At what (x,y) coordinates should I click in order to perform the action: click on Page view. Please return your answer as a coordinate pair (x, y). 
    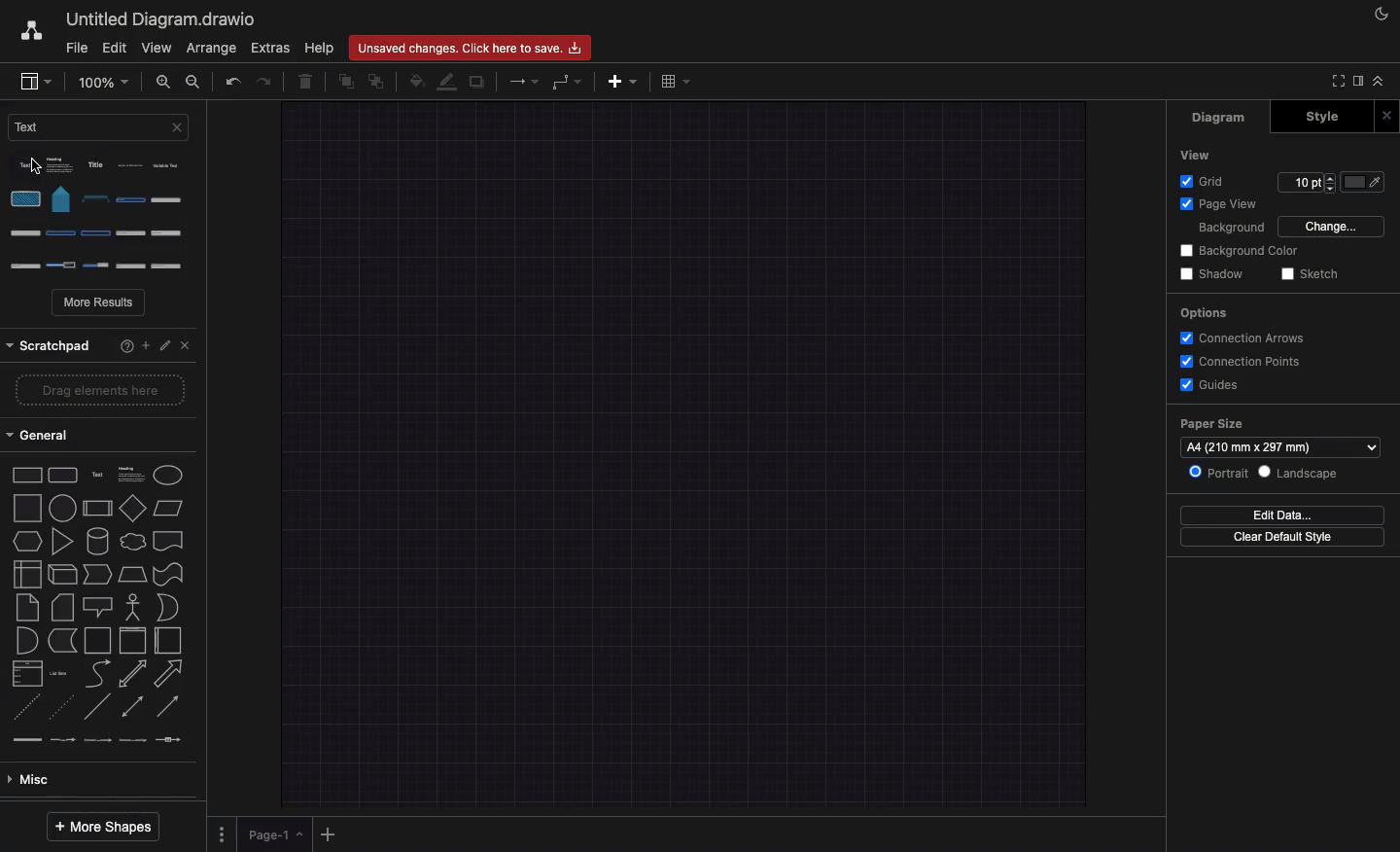
    Looking at the image, I should click on (1223, 204).